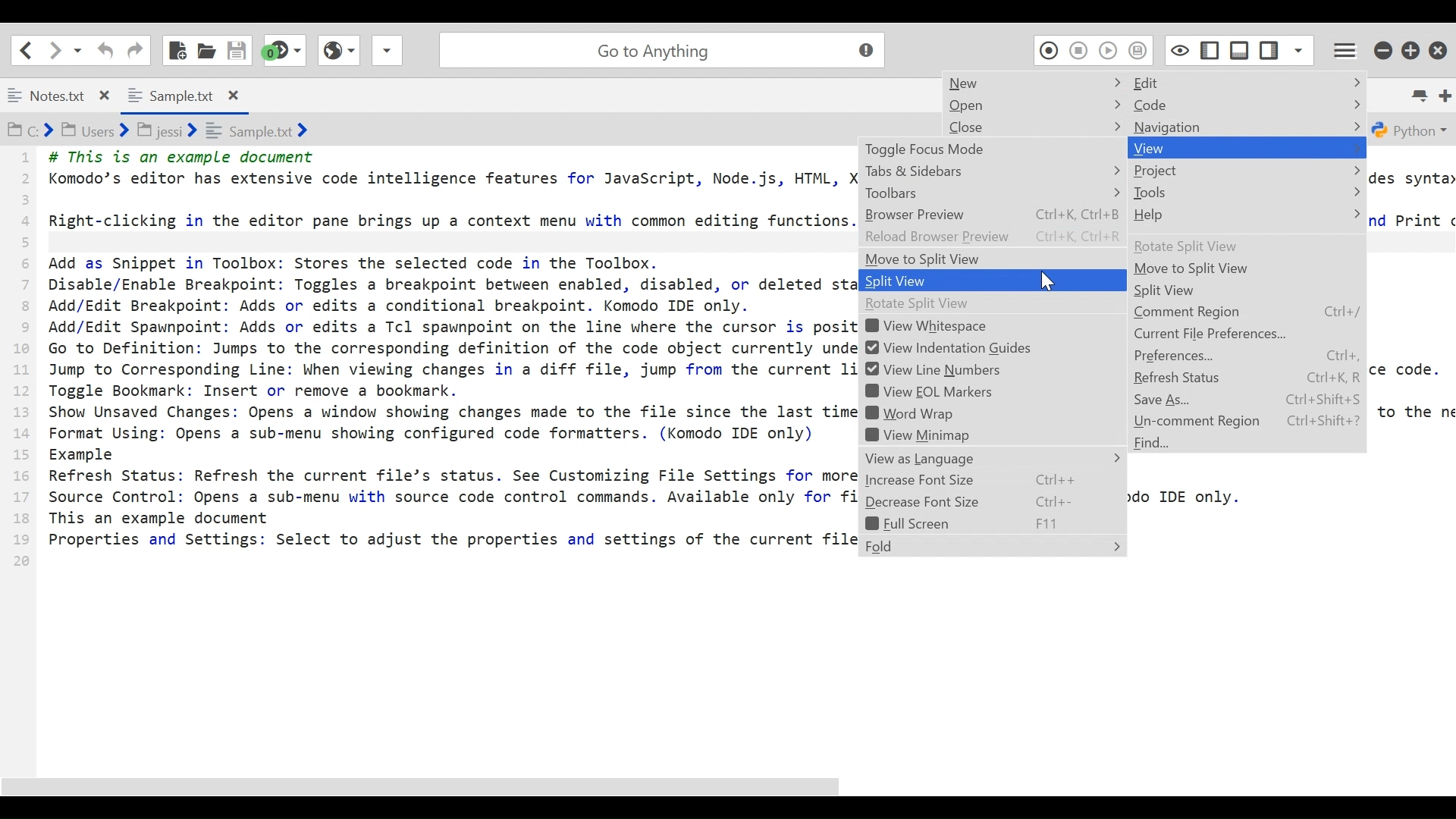  I want to click on Navigation, so click(1248, 127).